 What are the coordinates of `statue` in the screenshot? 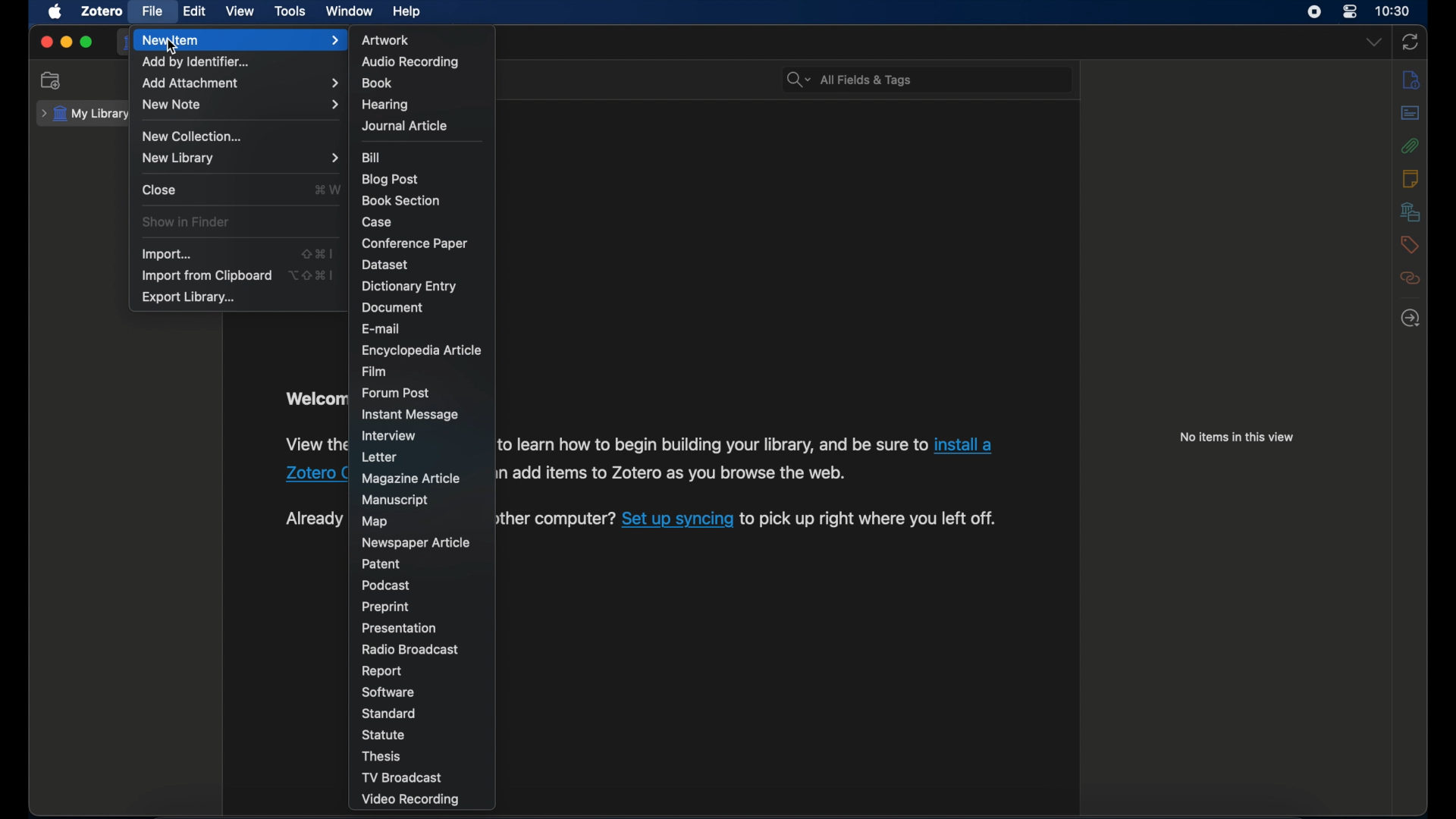 It's located at (384, 735).